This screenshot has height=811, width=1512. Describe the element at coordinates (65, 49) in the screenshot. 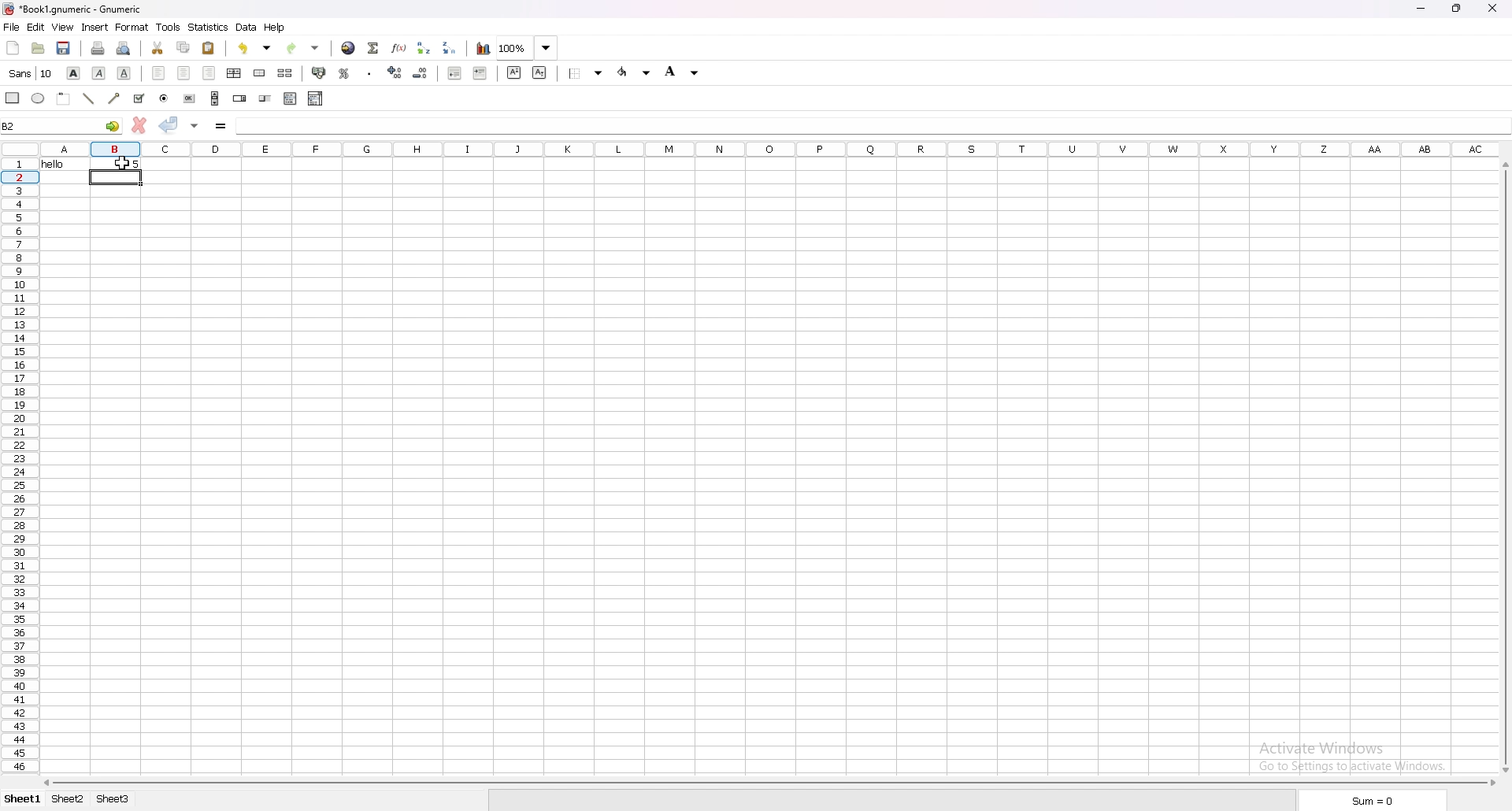

I see `save` at that location.